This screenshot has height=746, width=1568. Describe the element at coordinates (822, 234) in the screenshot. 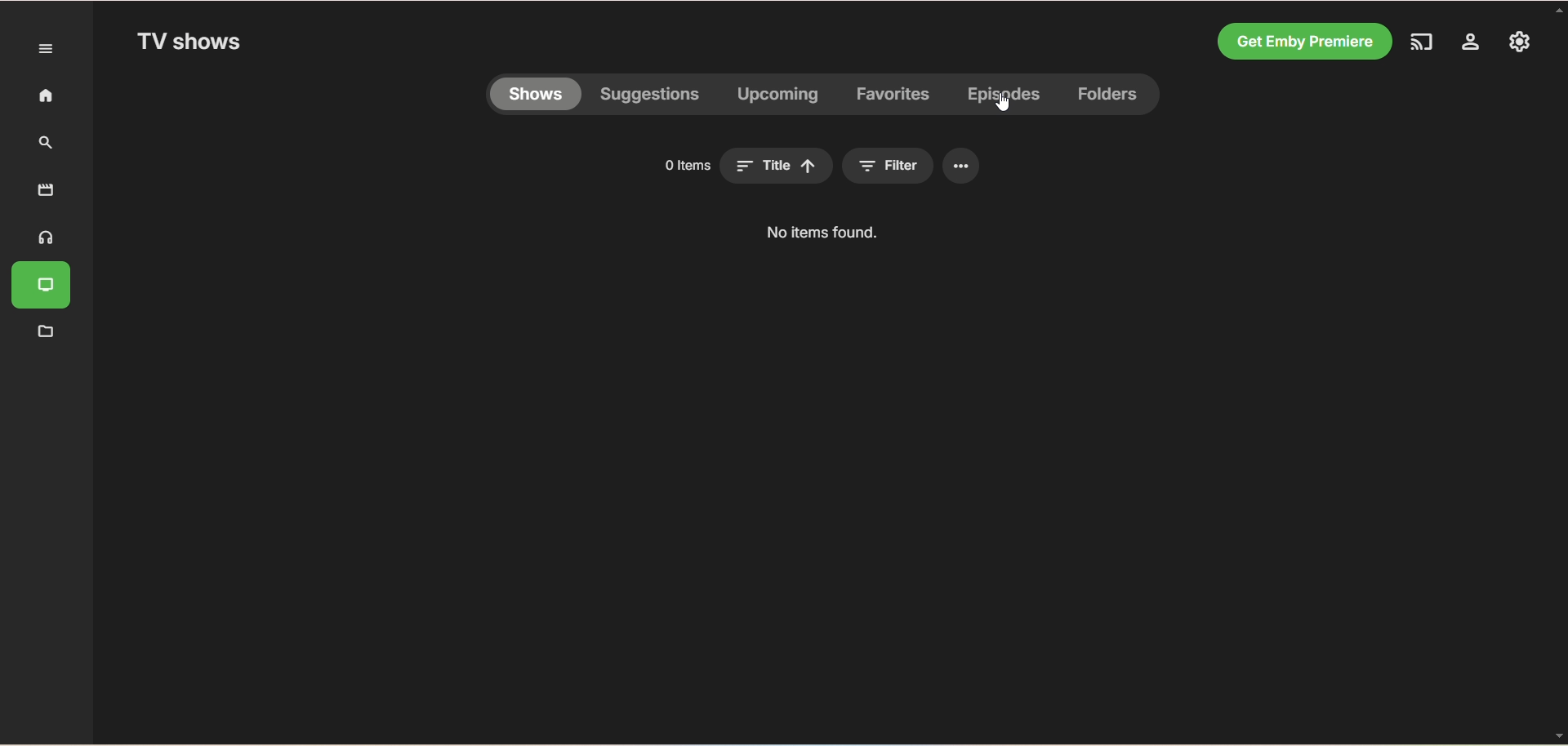

I see `text` at that location.